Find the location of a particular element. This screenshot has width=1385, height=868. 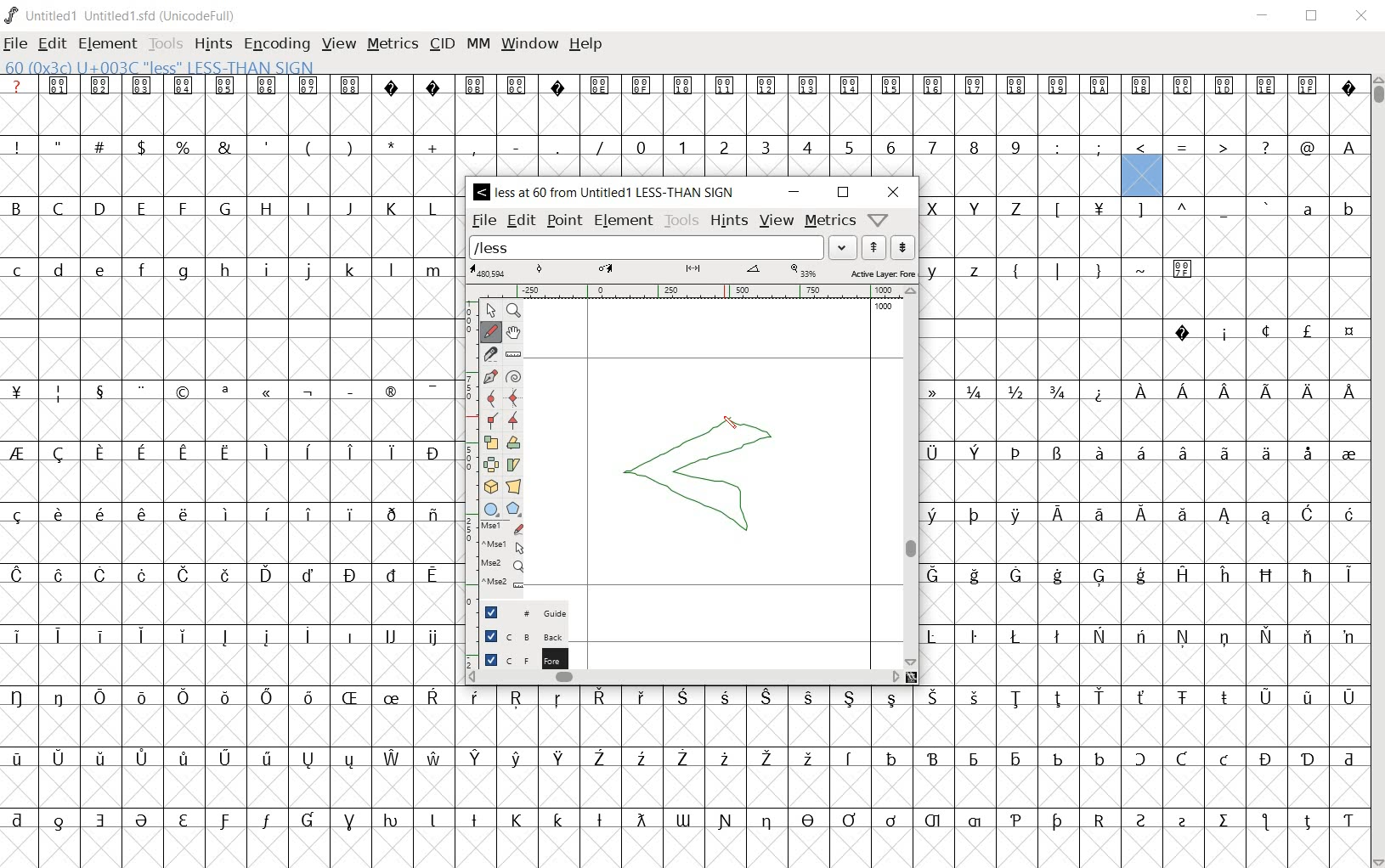

encoding is located at coordinates (274, 42).